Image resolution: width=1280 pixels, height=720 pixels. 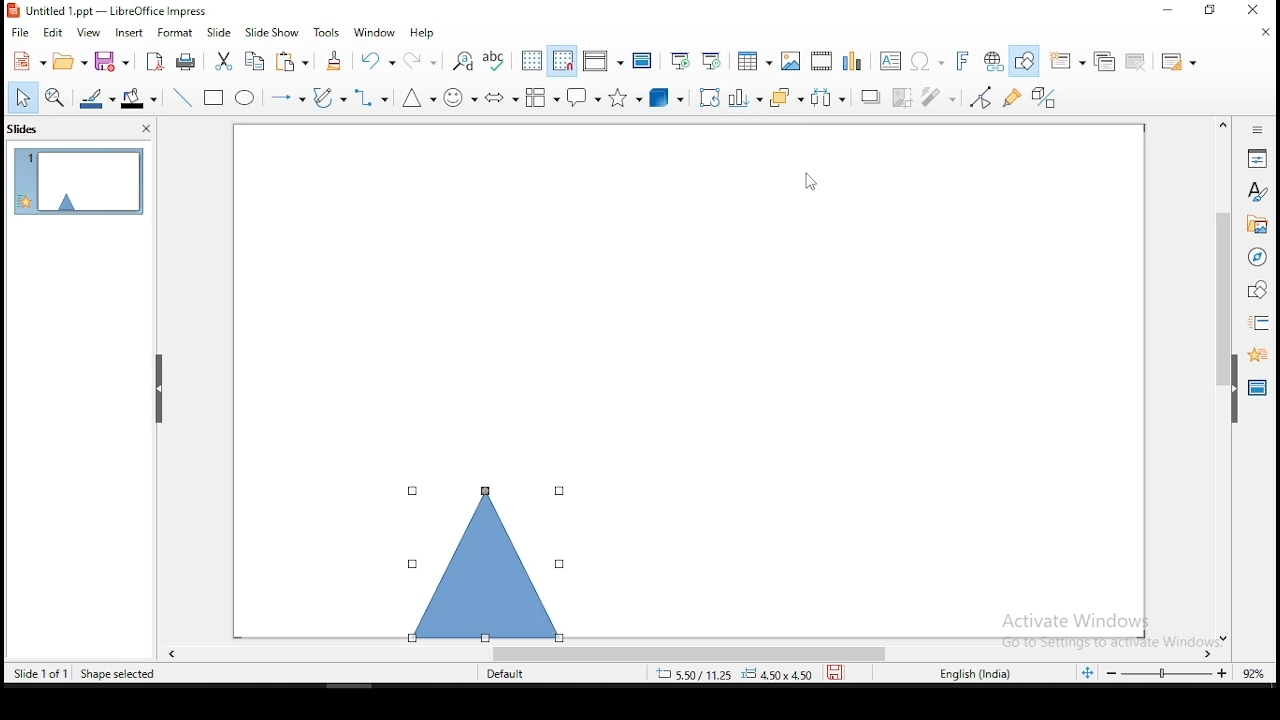 I want to click on align objects, so click(x=743, y=98).